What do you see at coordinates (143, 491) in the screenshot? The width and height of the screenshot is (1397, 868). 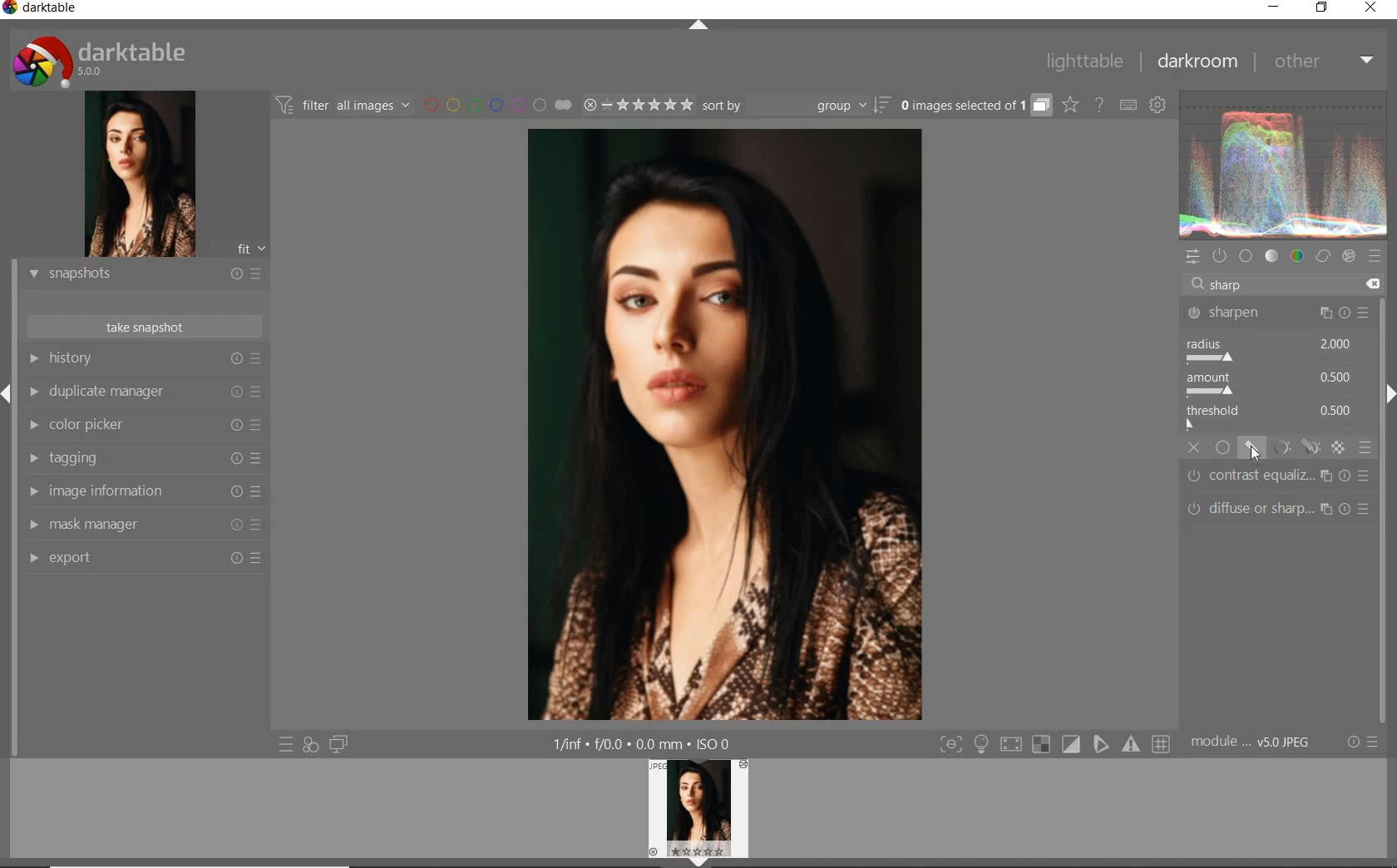 I see `image information` at bounding box center [143, 491].